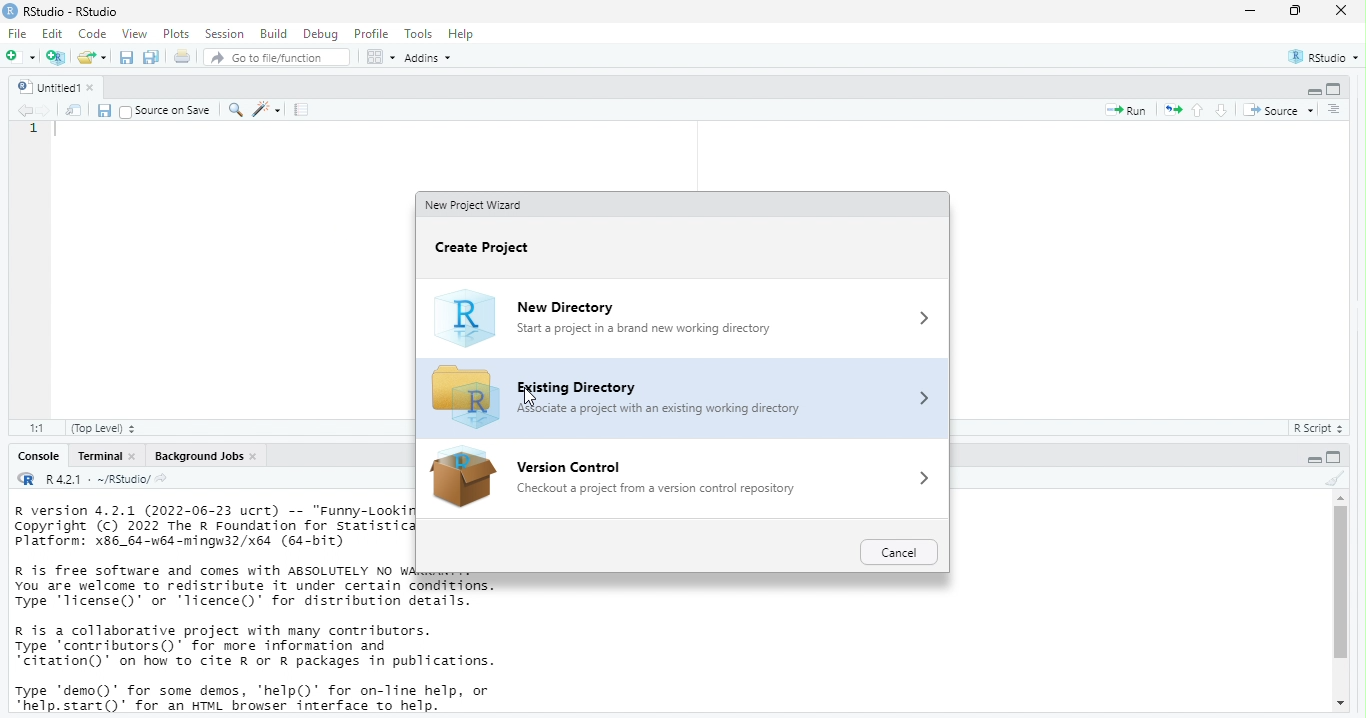 Image resolution: width=1366 pixels, height=718 pixels. I want to click on scrollbar, so click(1342, 598).